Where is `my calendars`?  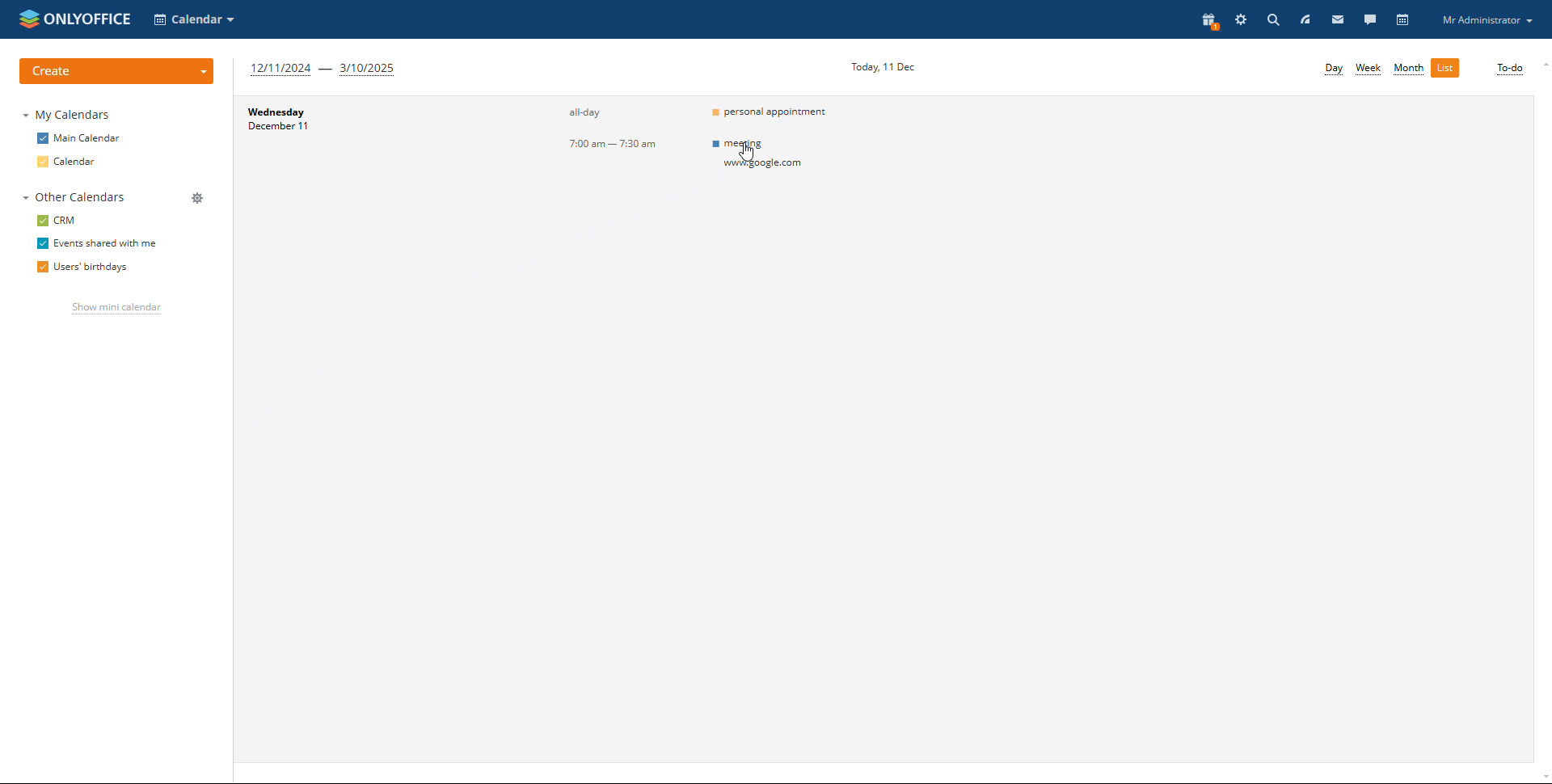 my calendars is located at coordinates (68, 115).